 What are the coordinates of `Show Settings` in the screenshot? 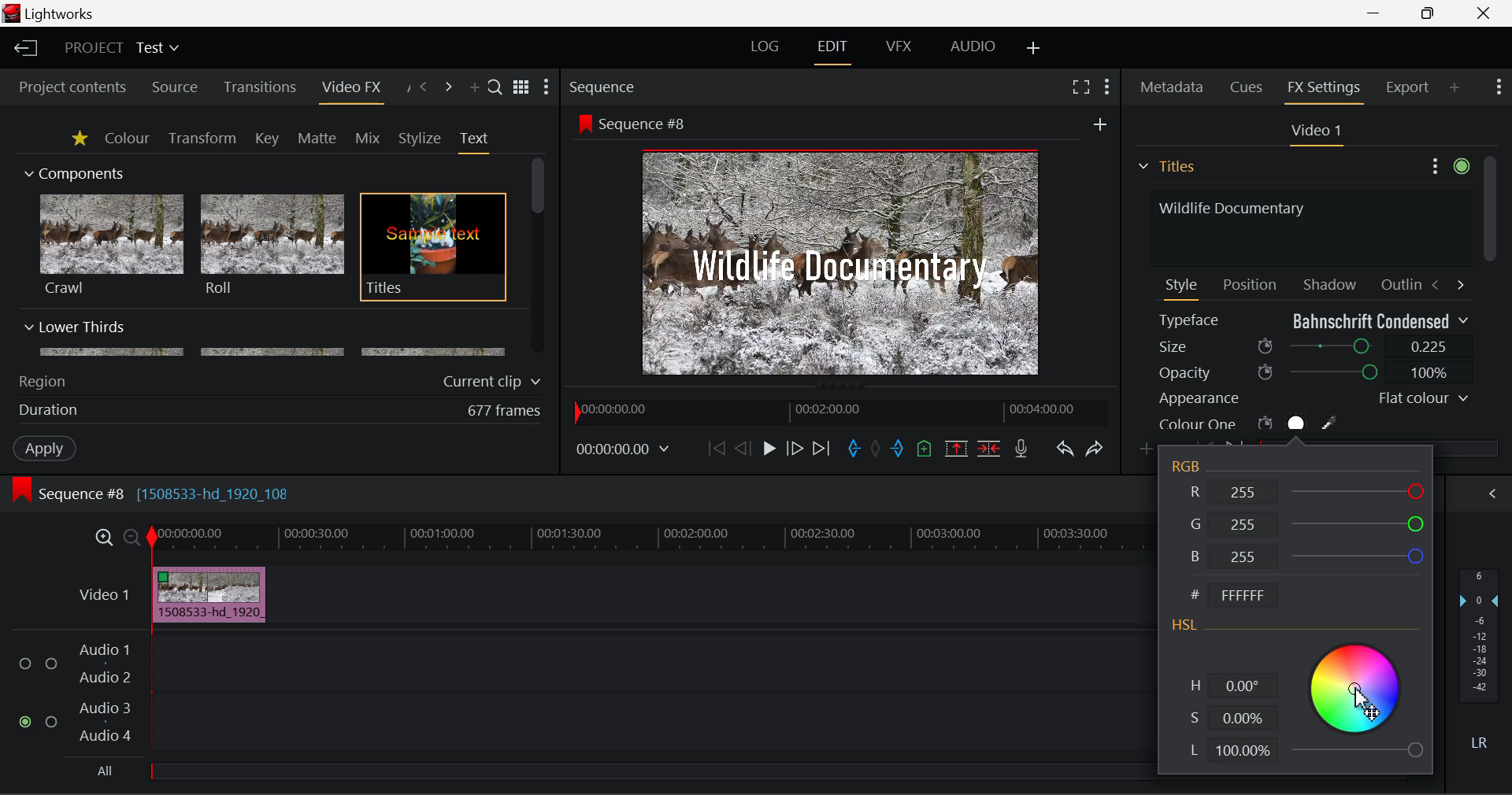 It's located at (1109, 87).